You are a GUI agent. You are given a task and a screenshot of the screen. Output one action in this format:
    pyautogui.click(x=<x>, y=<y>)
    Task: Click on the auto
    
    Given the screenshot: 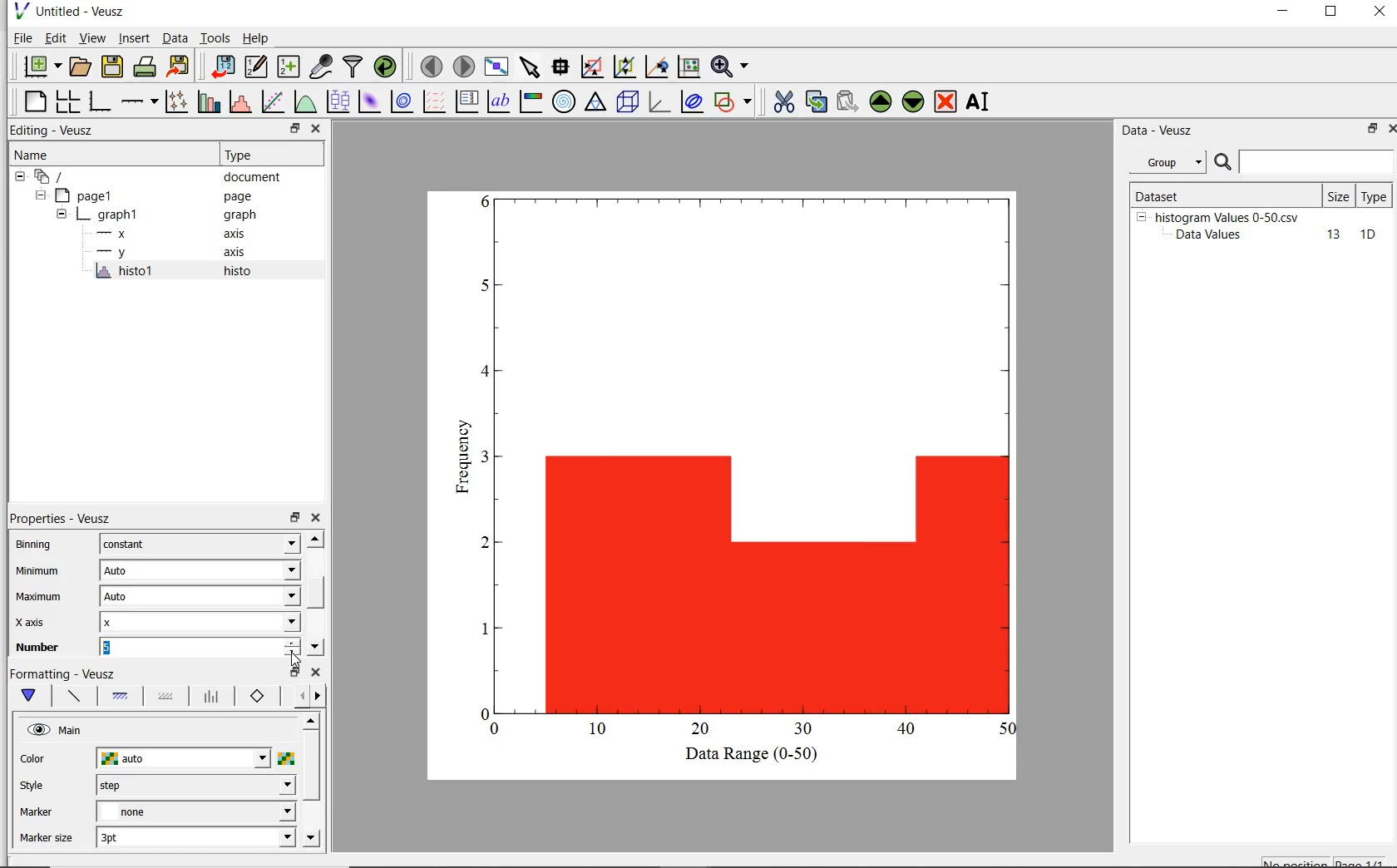 What is the action you would take?
    pyautogui.click(x=199, y=597)
    